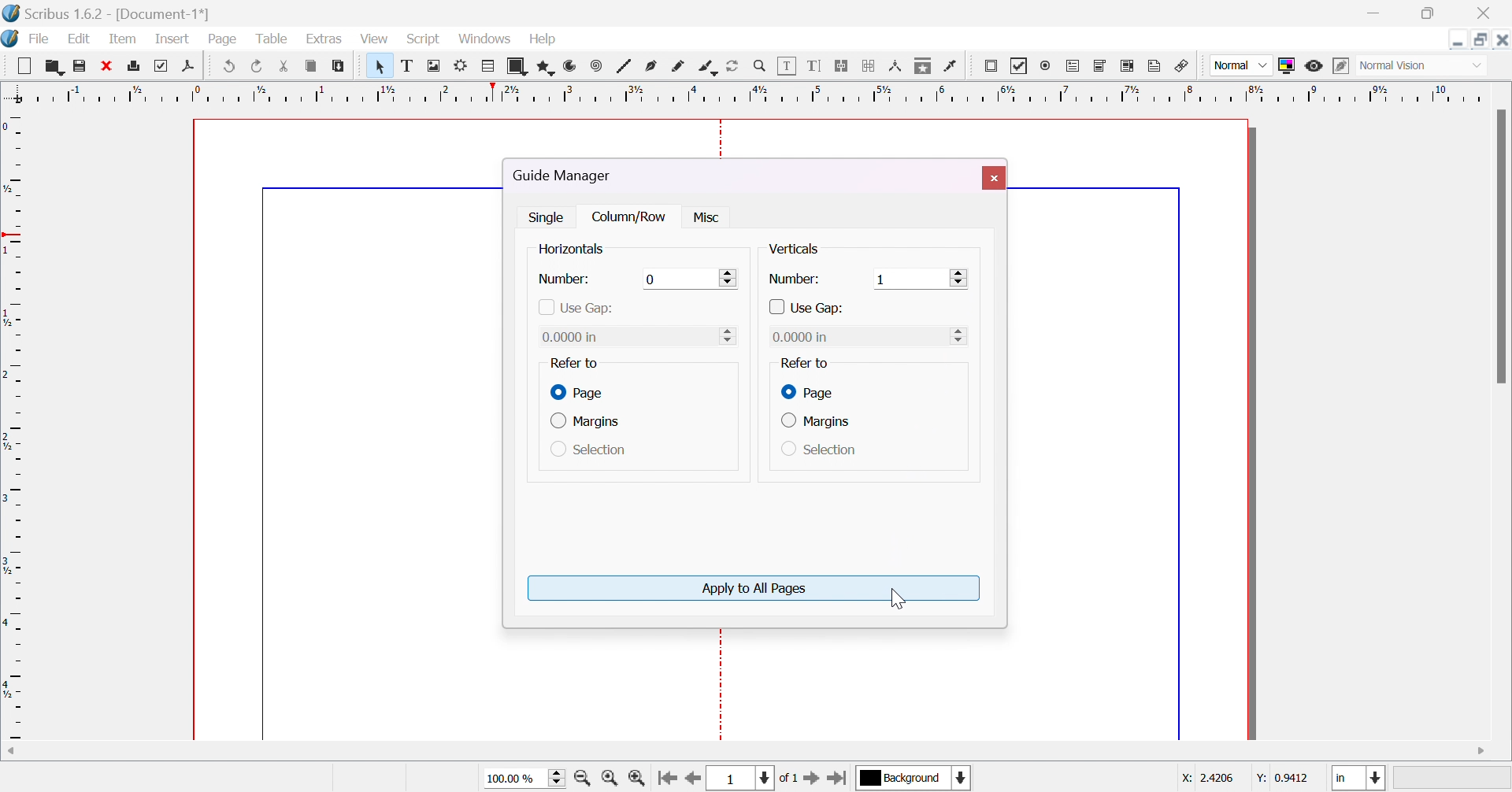 This screenshot has height=792, width=1512. I want to click on , so click(653, 278).